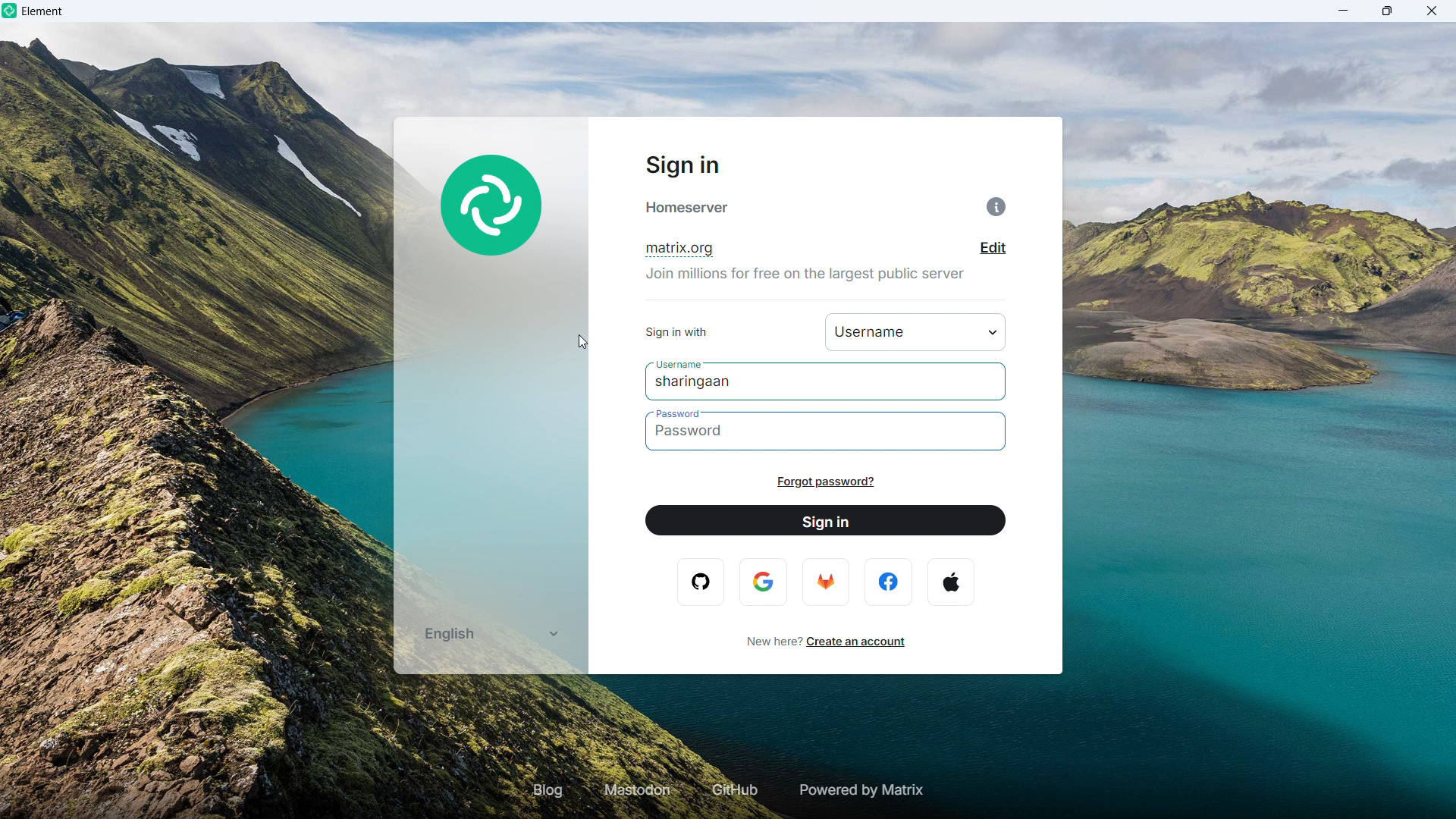 Image resolution: width=1456 pixels, height=819 pixels. I want to click on Mastodon , so click(639, 790).